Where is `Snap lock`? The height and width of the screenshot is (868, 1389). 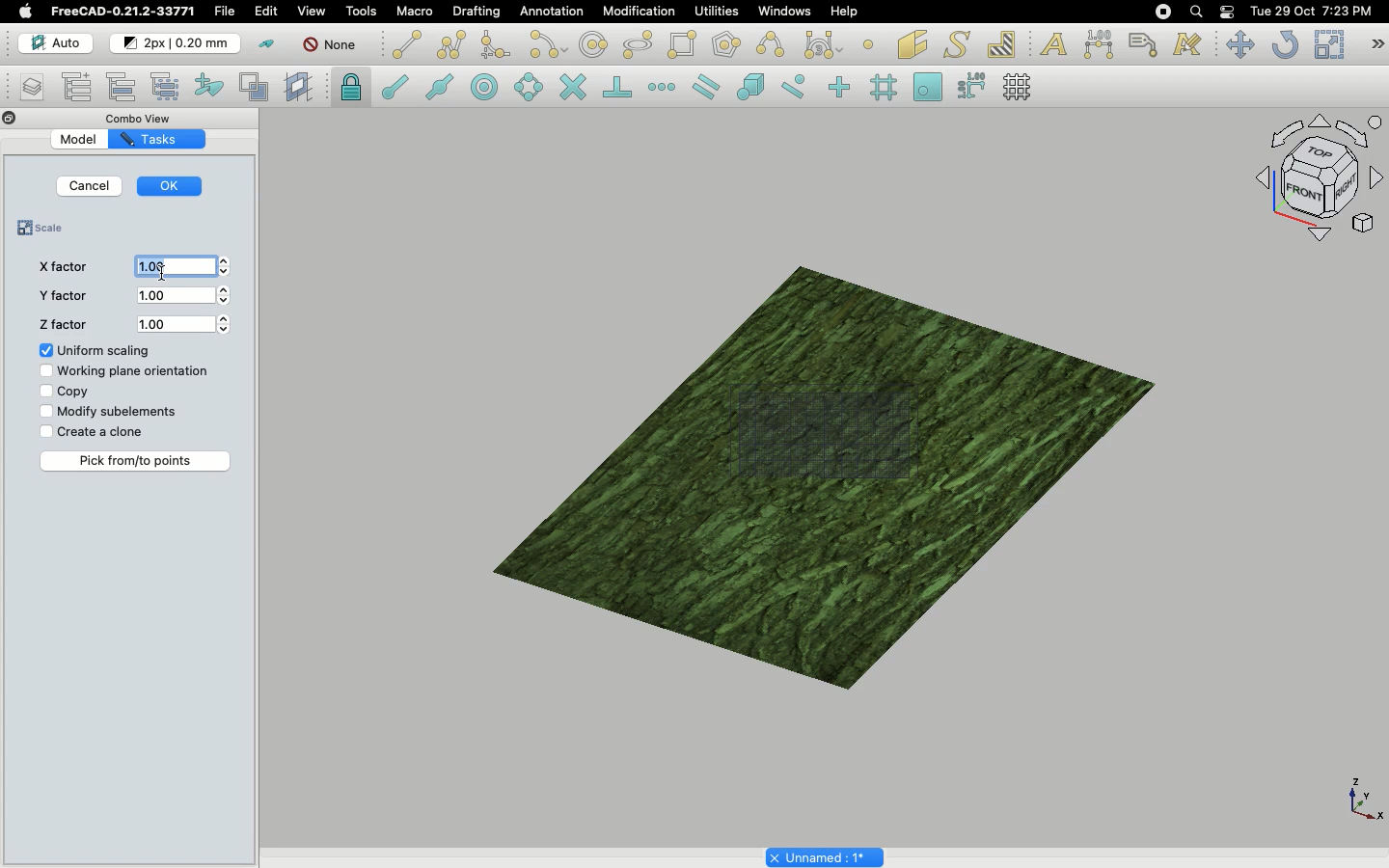 Snap lock is located at coordinates (351, 87).